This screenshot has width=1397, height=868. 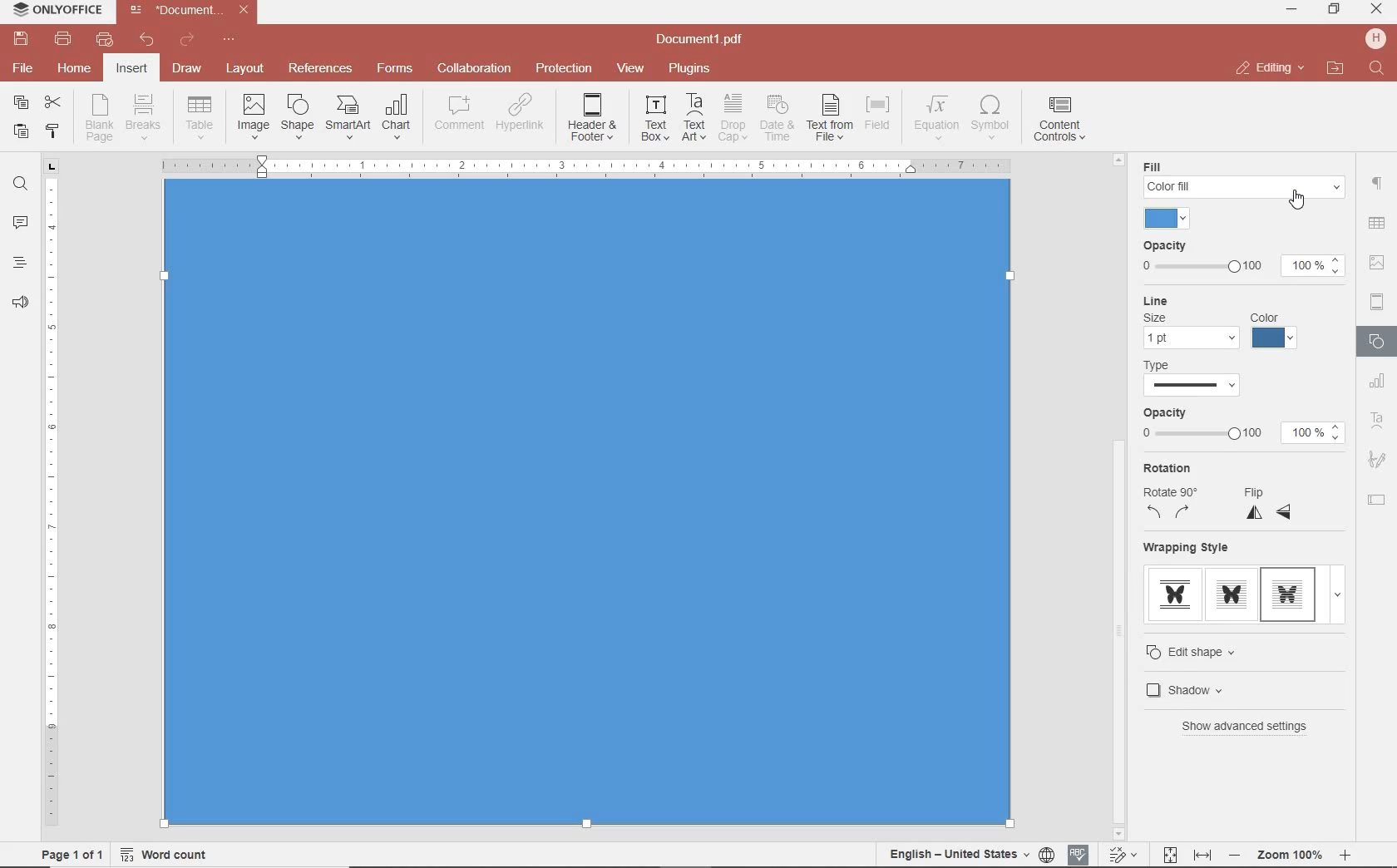 I want to click on BEHIND TEXT, so click(x=1239, y=732).